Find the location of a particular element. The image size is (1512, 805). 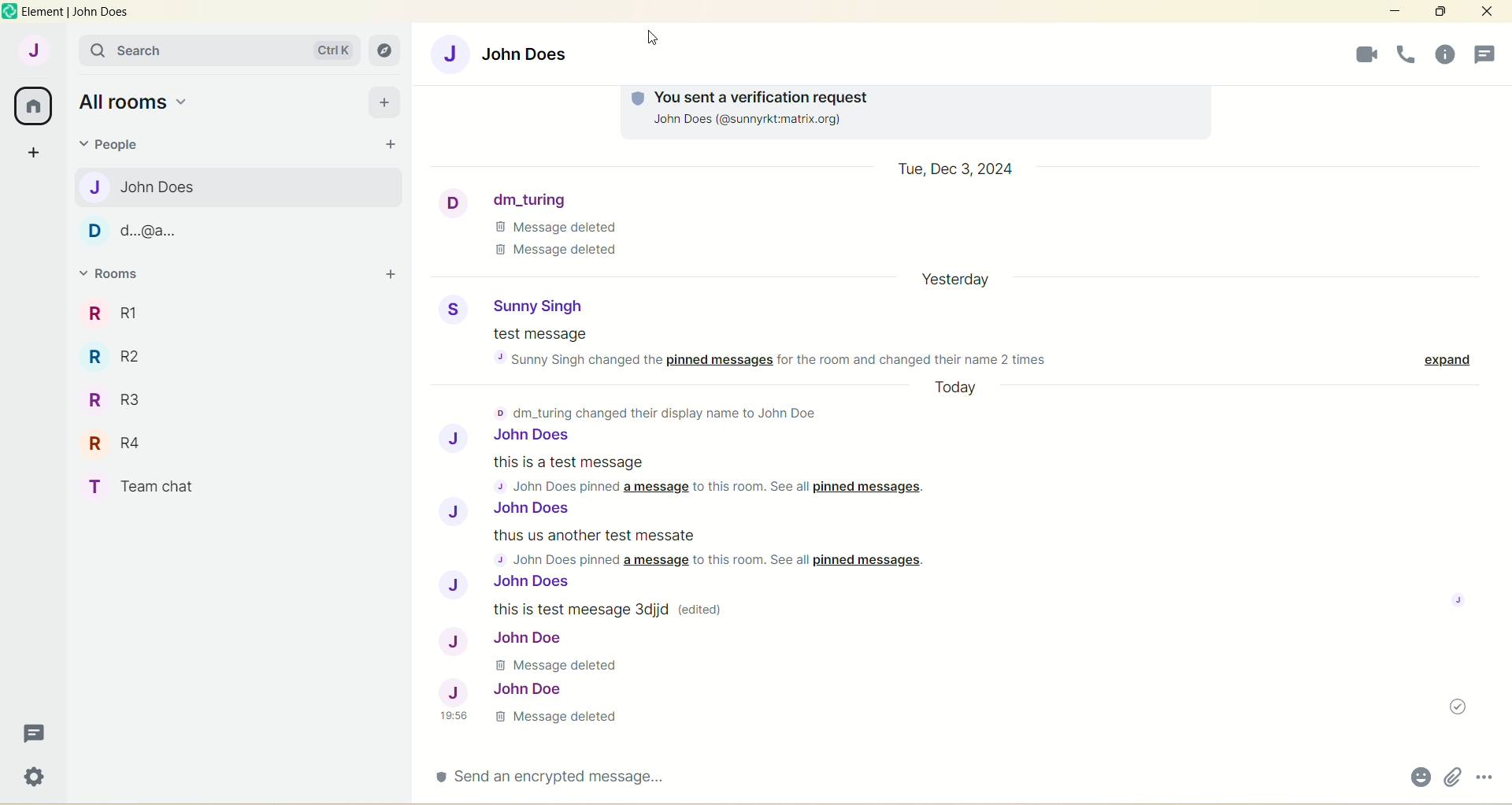

Message Deleted is located at coordinates (566, 242).